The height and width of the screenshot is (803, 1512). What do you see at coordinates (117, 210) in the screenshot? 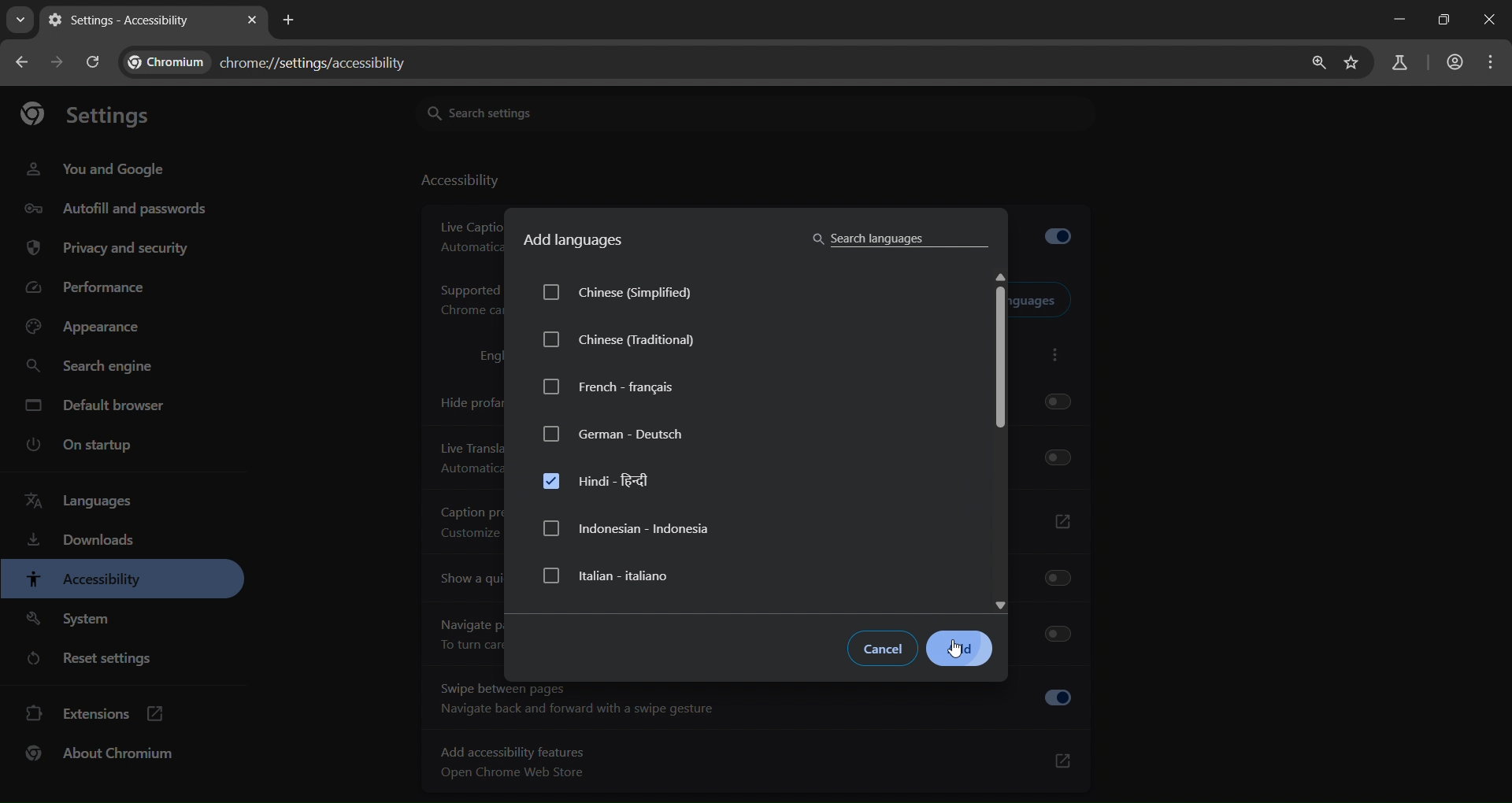
I see `autofill and passwords` at bounding box center [117, 210].